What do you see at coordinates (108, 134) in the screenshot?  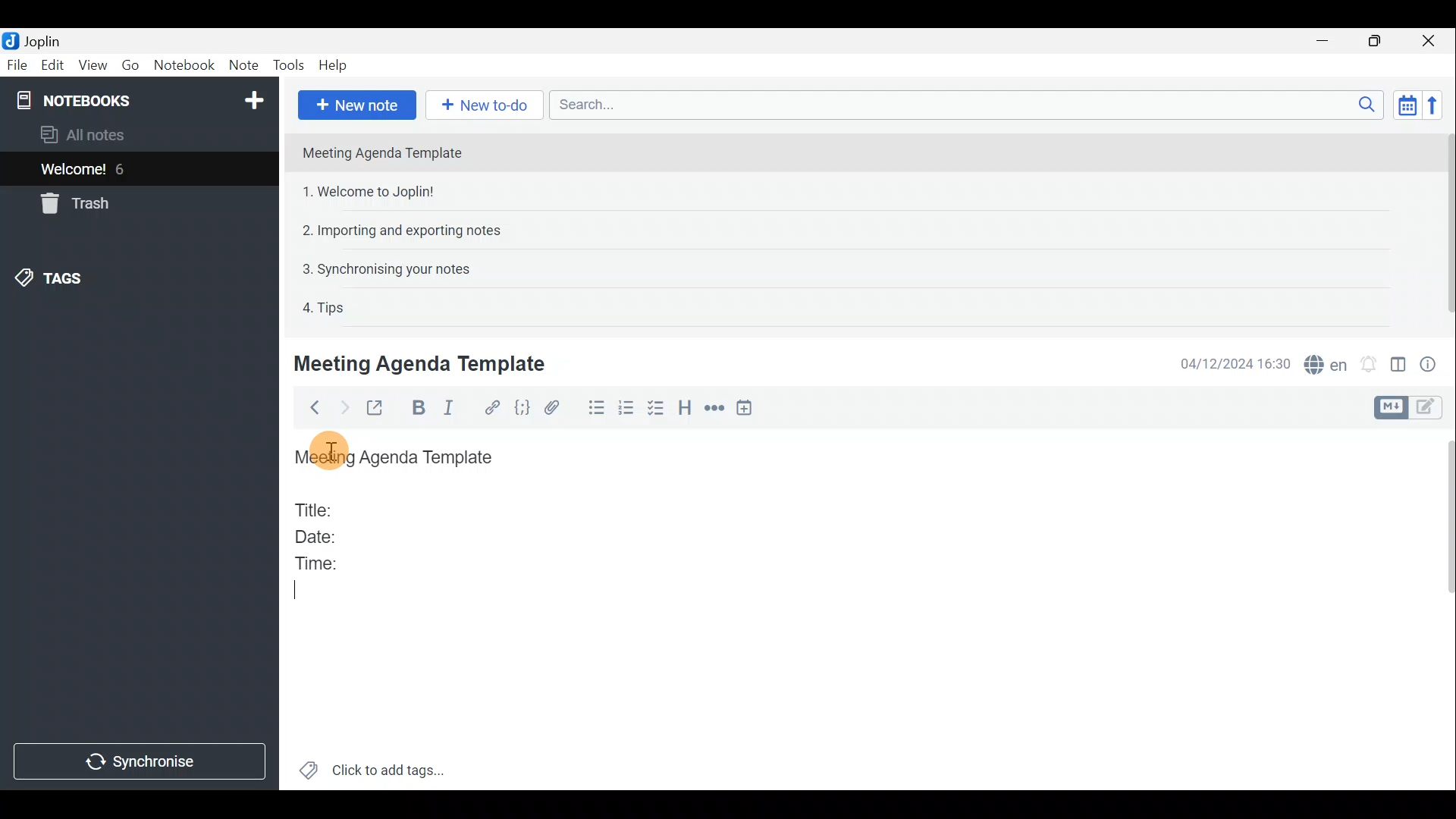 I see `All notes` at bounding box center [108, 134].